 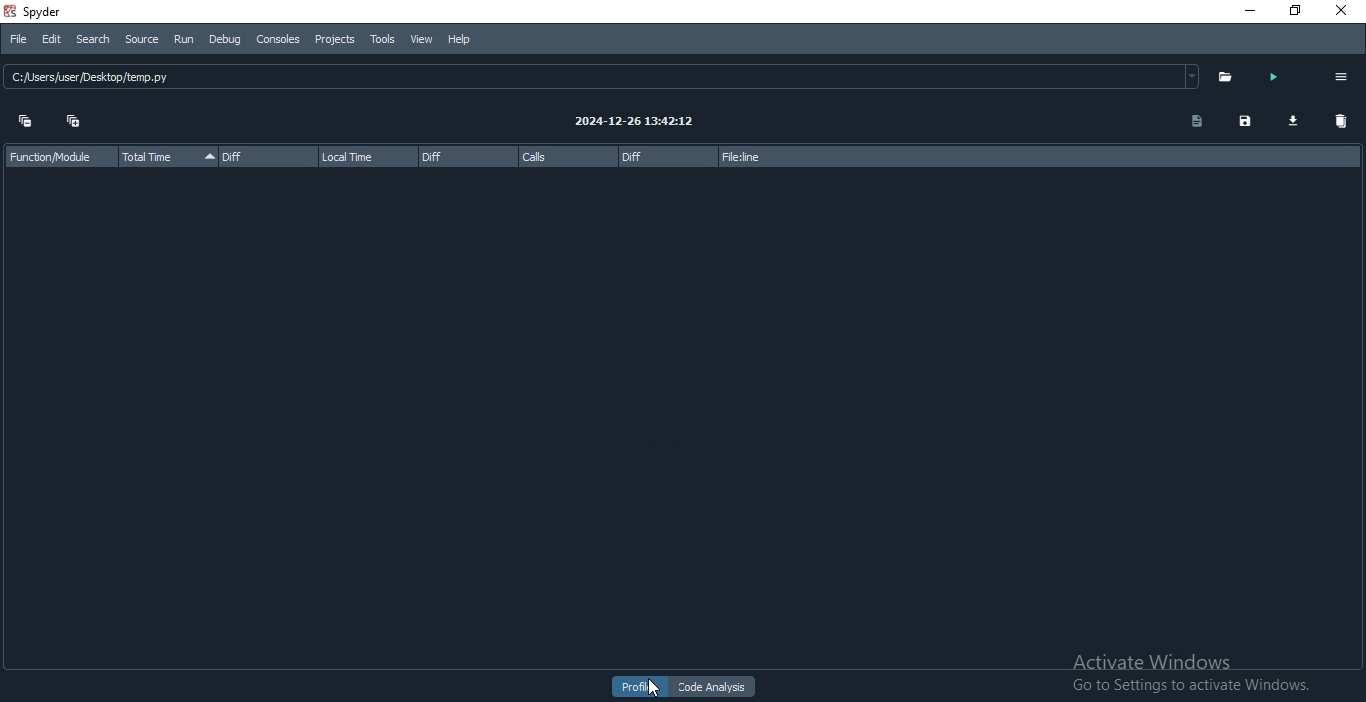 I want to click on calls, so click(x=558, y=153).